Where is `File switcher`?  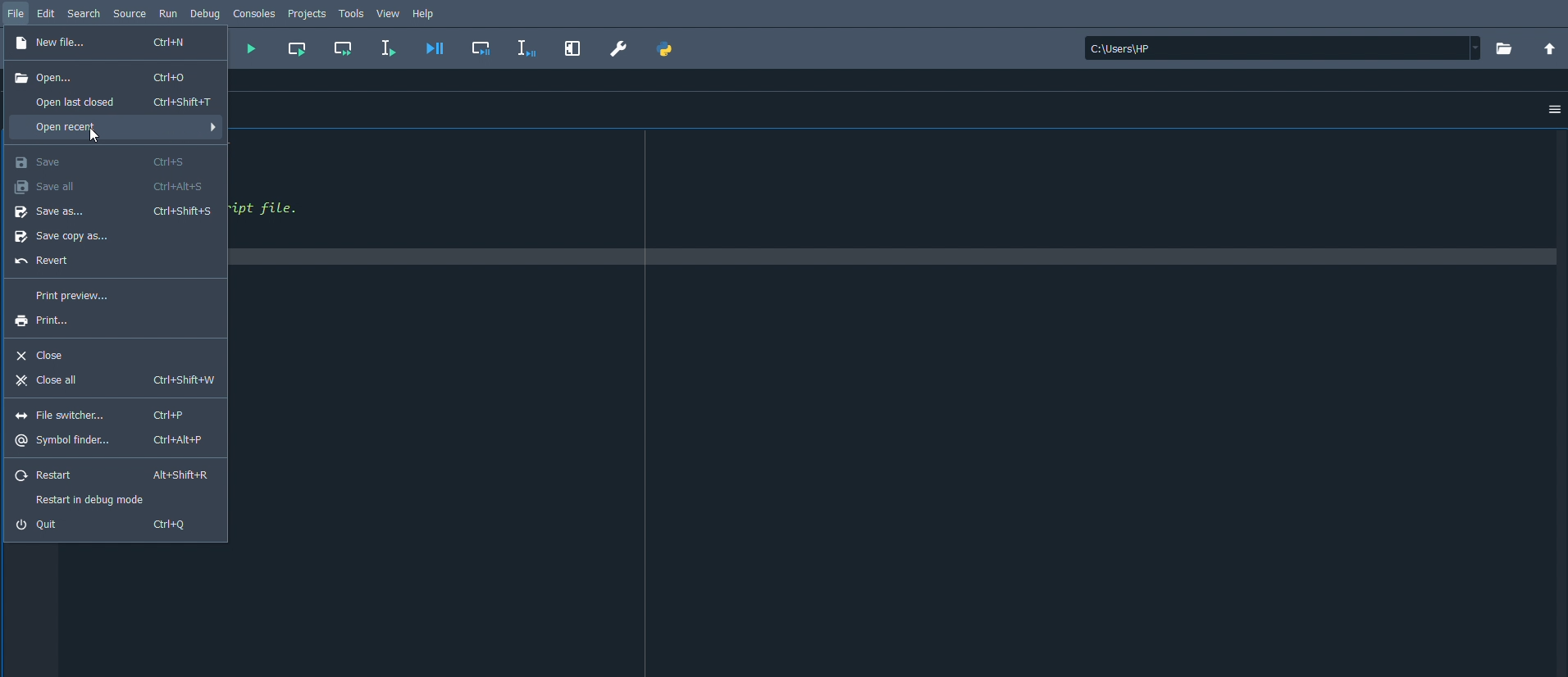 File switcher is located at coordinates (98, 415).